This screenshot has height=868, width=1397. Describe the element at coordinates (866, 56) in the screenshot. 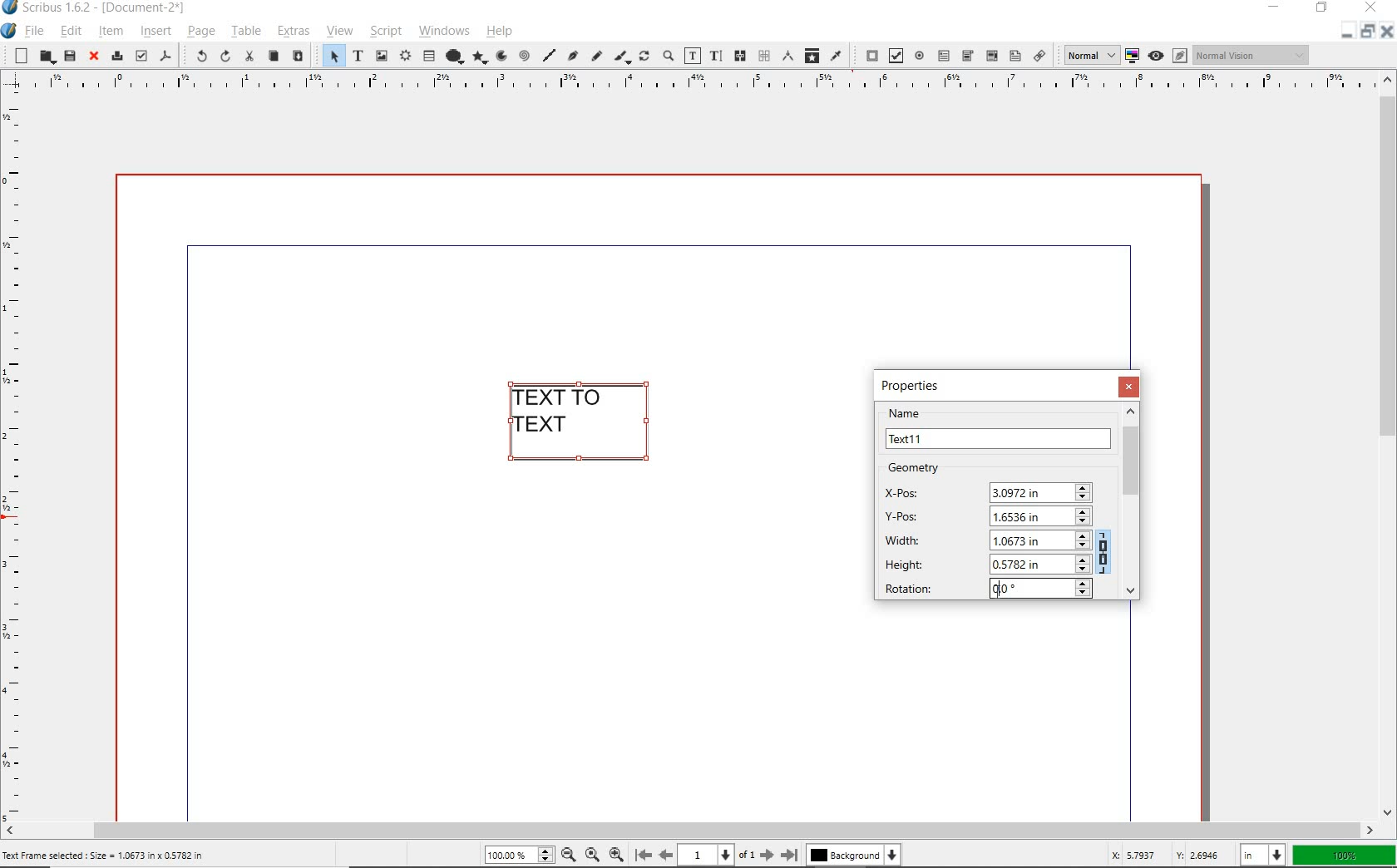

I see `pdf push button` at that location.